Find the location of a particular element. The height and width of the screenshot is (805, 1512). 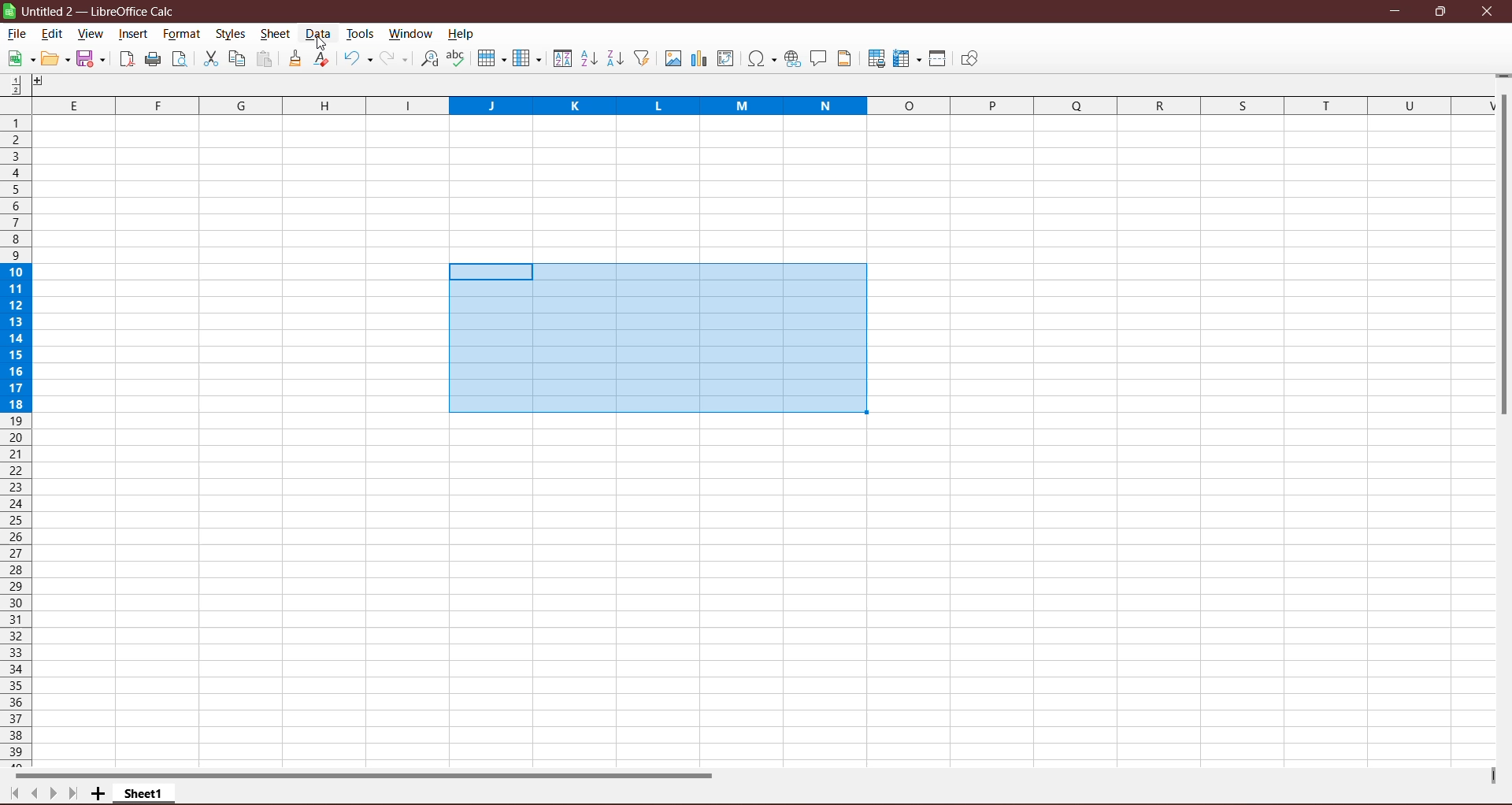

Insert Special Characters is located at coordinates (762, 58).